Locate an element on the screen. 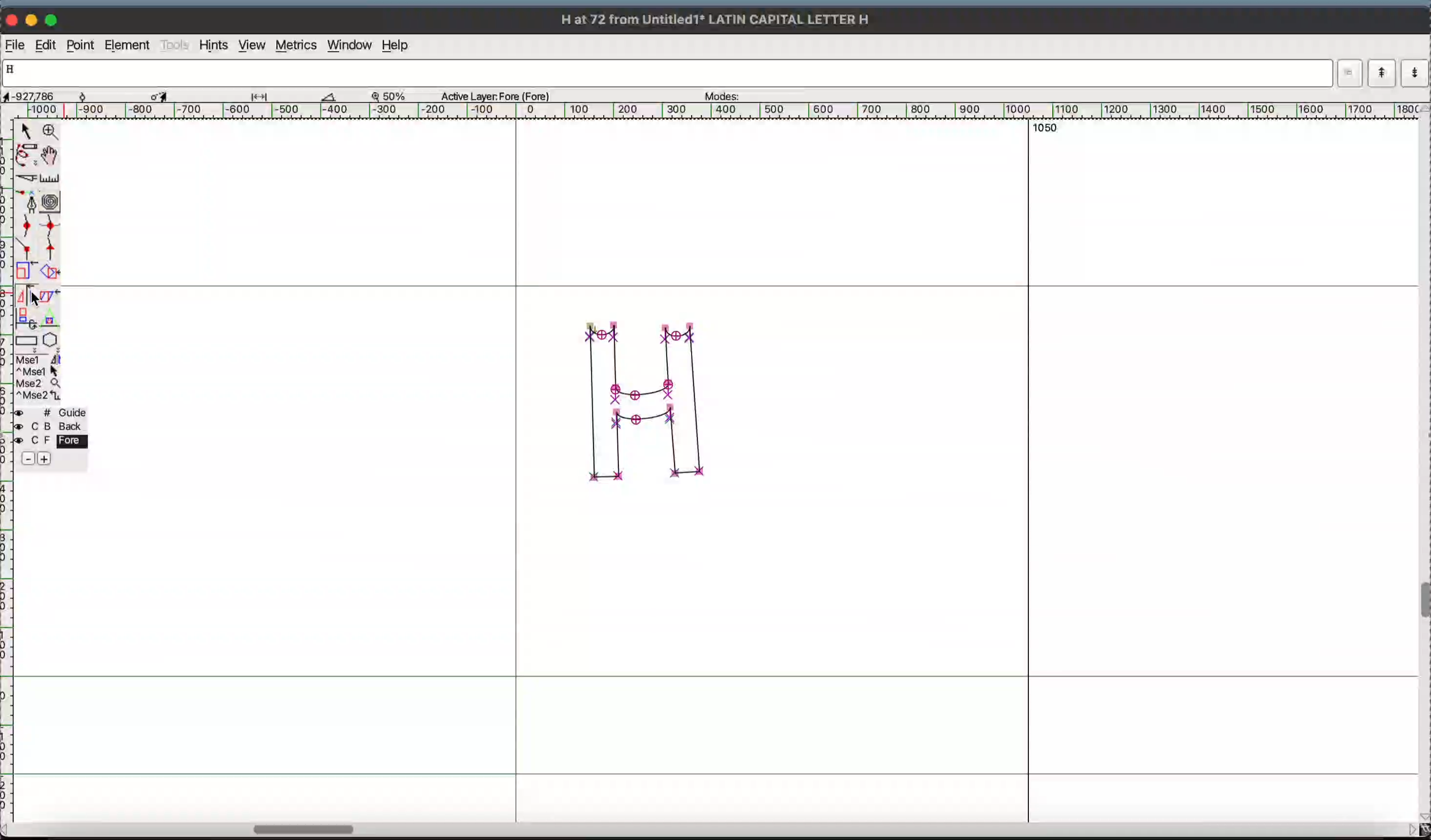 The width and height of the screenshot is (1431, 840). pen is located at coordinates (28, 200).